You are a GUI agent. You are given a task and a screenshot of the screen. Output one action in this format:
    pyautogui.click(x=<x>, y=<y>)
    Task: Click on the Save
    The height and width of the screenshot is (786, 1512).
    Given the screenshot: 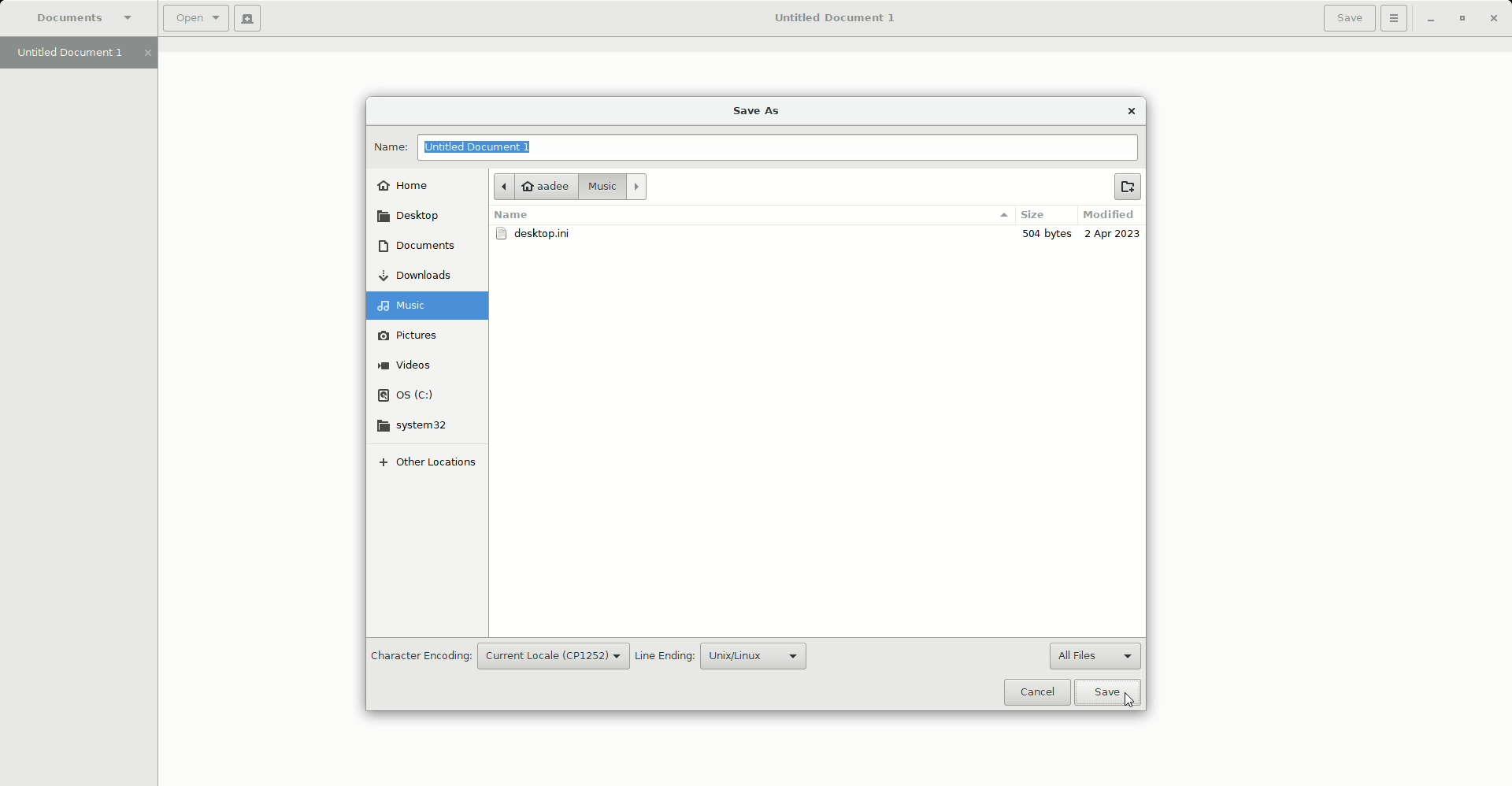 What is the action you would take?
    pyautogui.click(x=1107, y=692)
    